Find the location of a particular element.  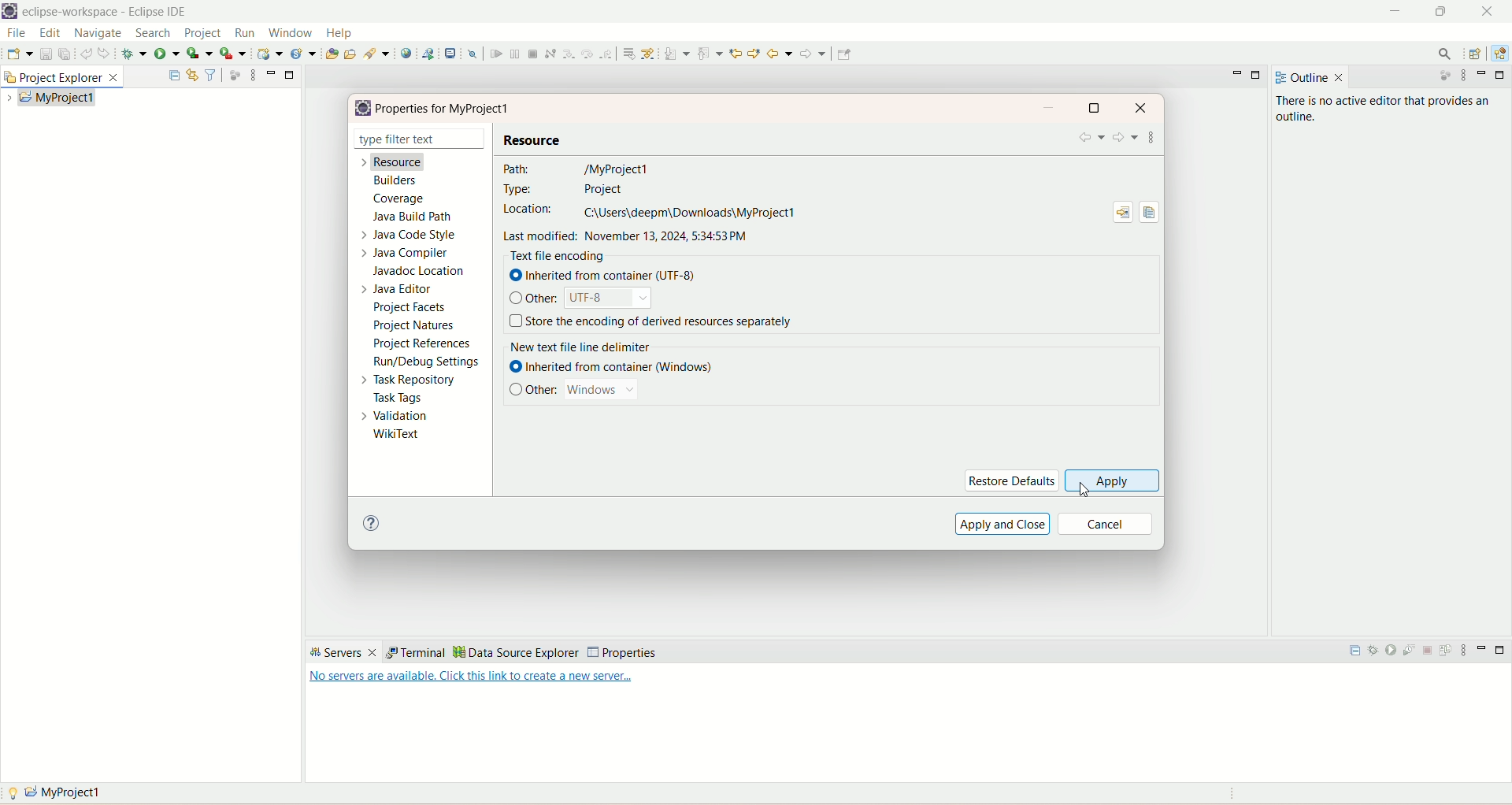

check box is located at coordinates (513, 302).